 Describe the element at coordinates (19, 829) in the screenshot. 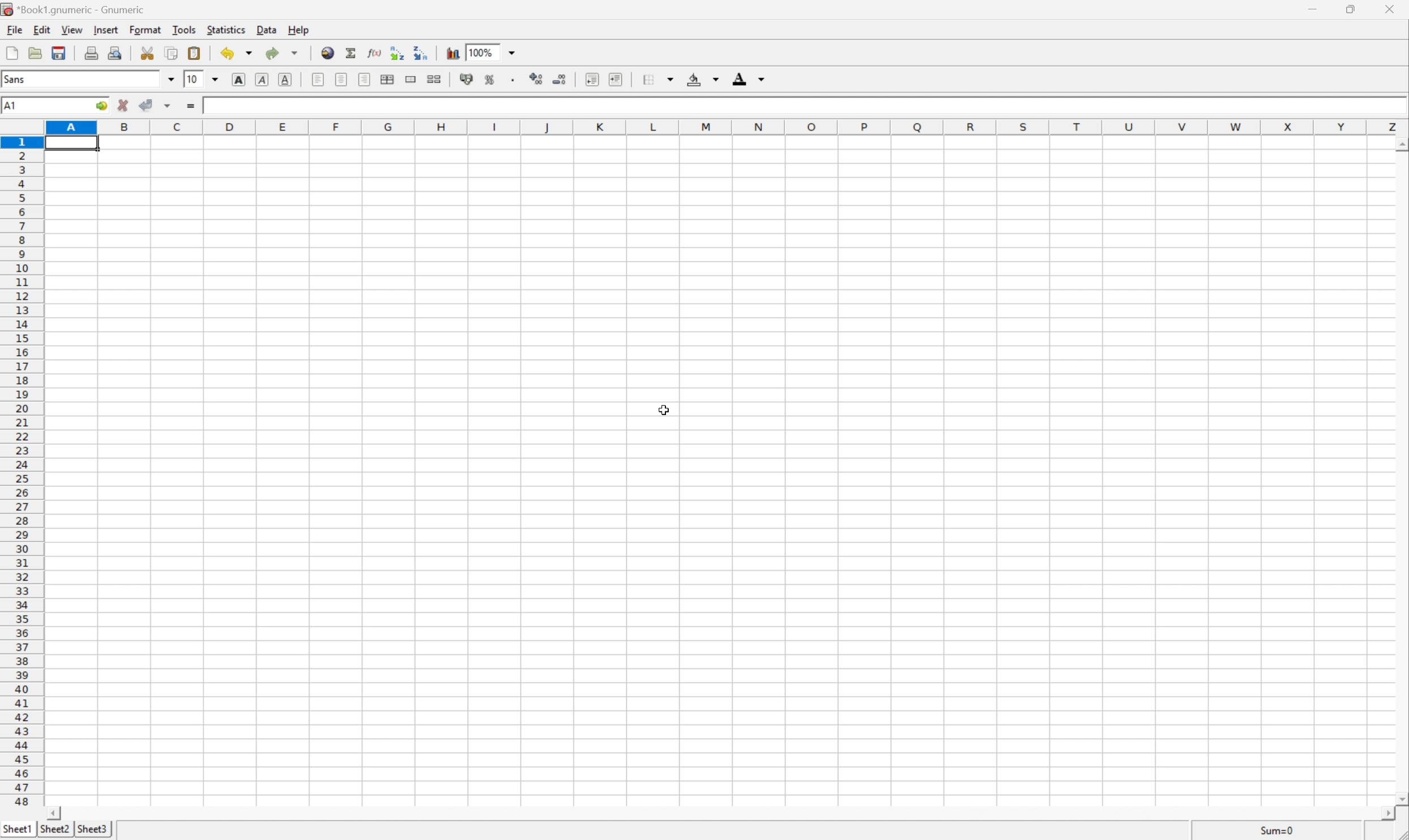

I see `Sheet1` at that location.